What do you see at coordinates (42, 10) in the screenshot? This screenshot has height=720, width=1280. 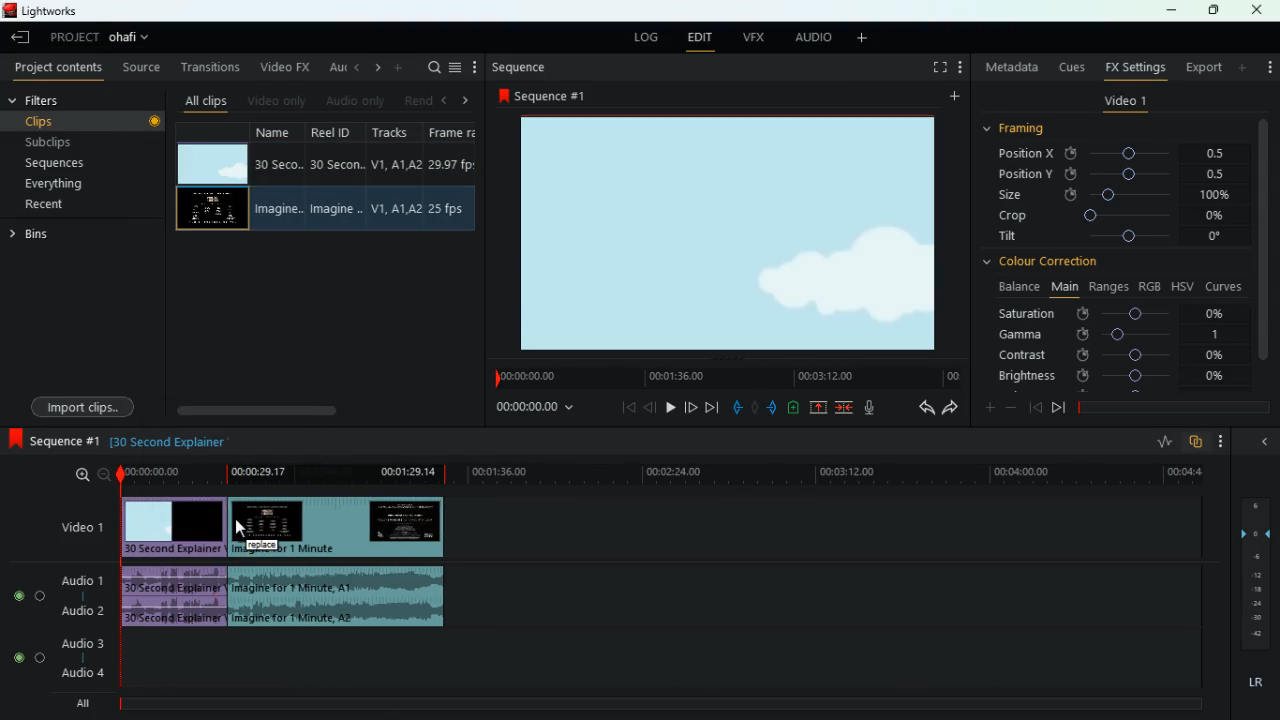 I see `lightworks` at bounding box center [42, 10].